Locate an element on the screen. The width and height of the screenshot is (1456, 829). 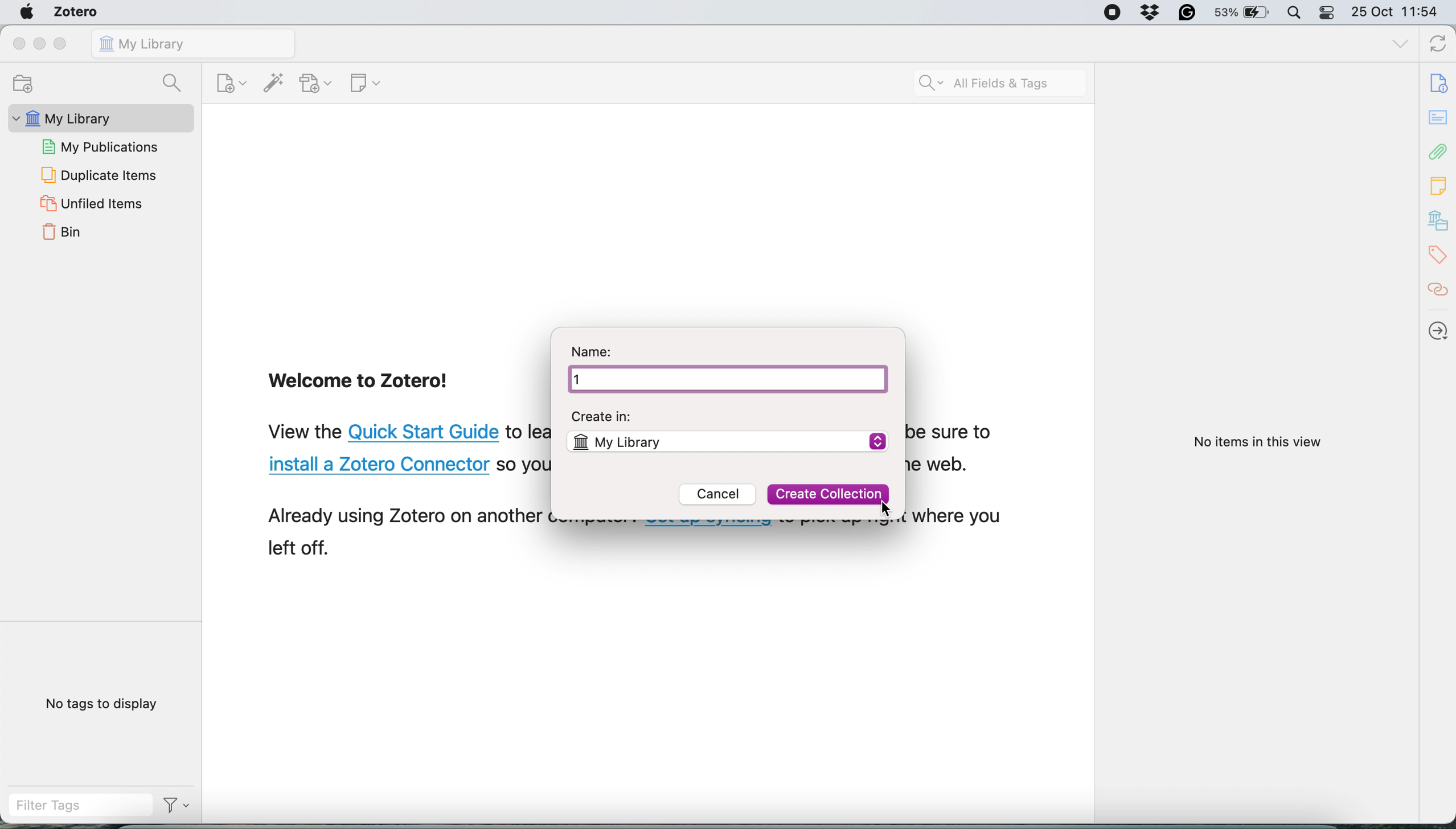
duplicate items is located at coordinates (99, 175).